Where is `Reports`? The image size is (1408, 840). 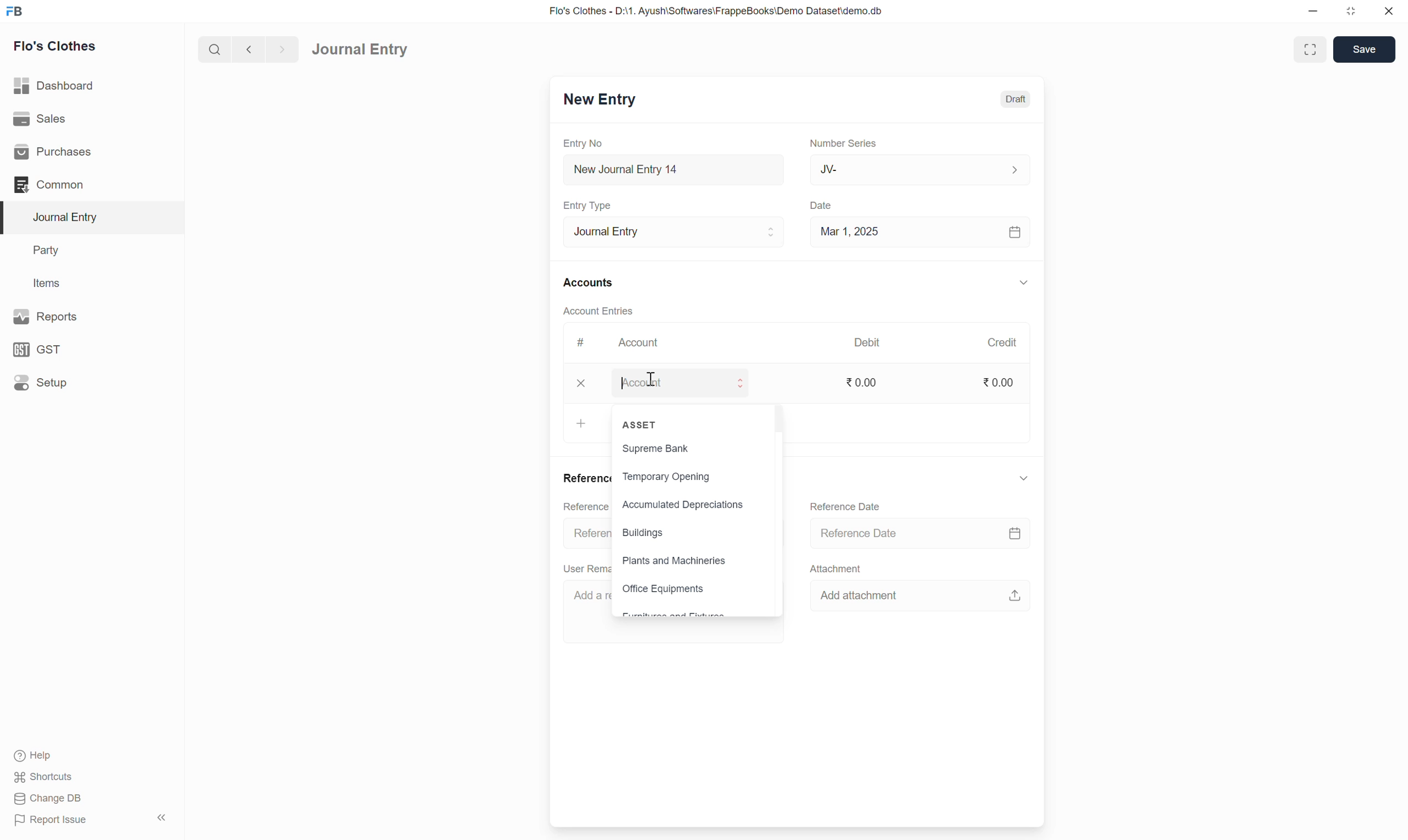
Reports is located at coordinates (49, 316).